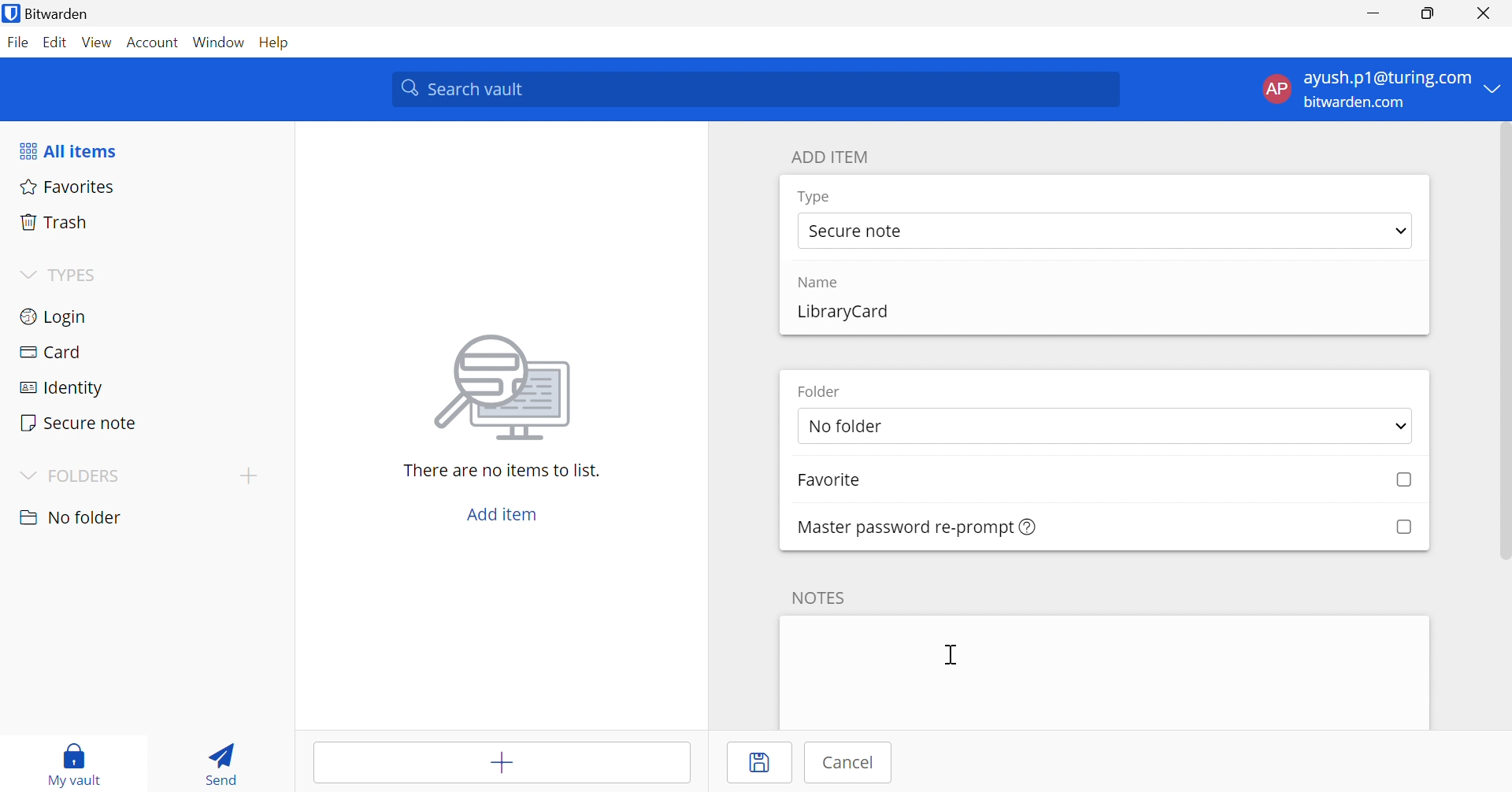 The height and width of the screenshot is (792, 1512). What do you see at coordinates (833, 482) in the screenshot?
I see `Favorite` at bounding box center [833, 482].